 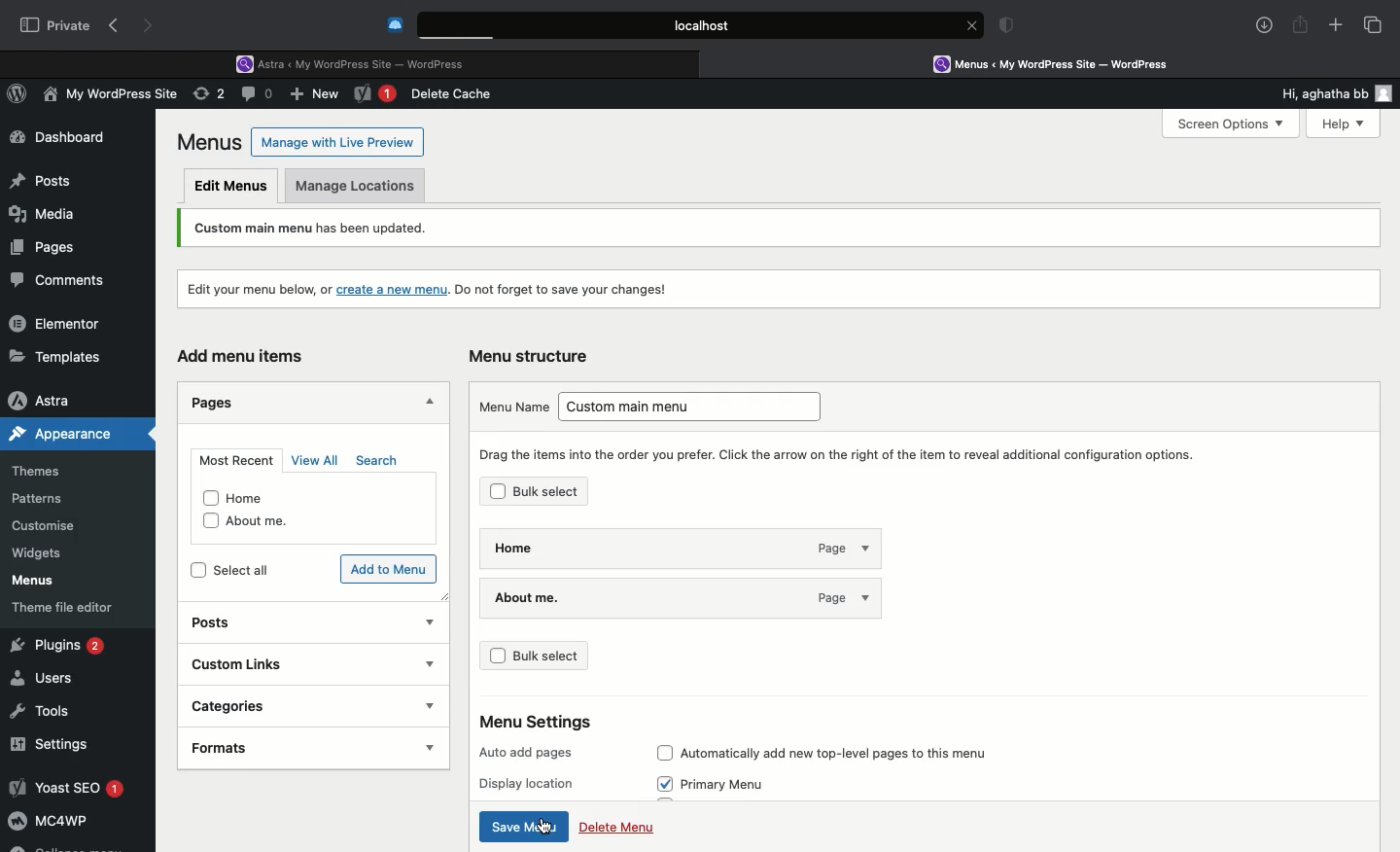 What do you see at coordinates (455, 94) in the screenshot?
I see `Delete cache` at bounding box center [455, 94].